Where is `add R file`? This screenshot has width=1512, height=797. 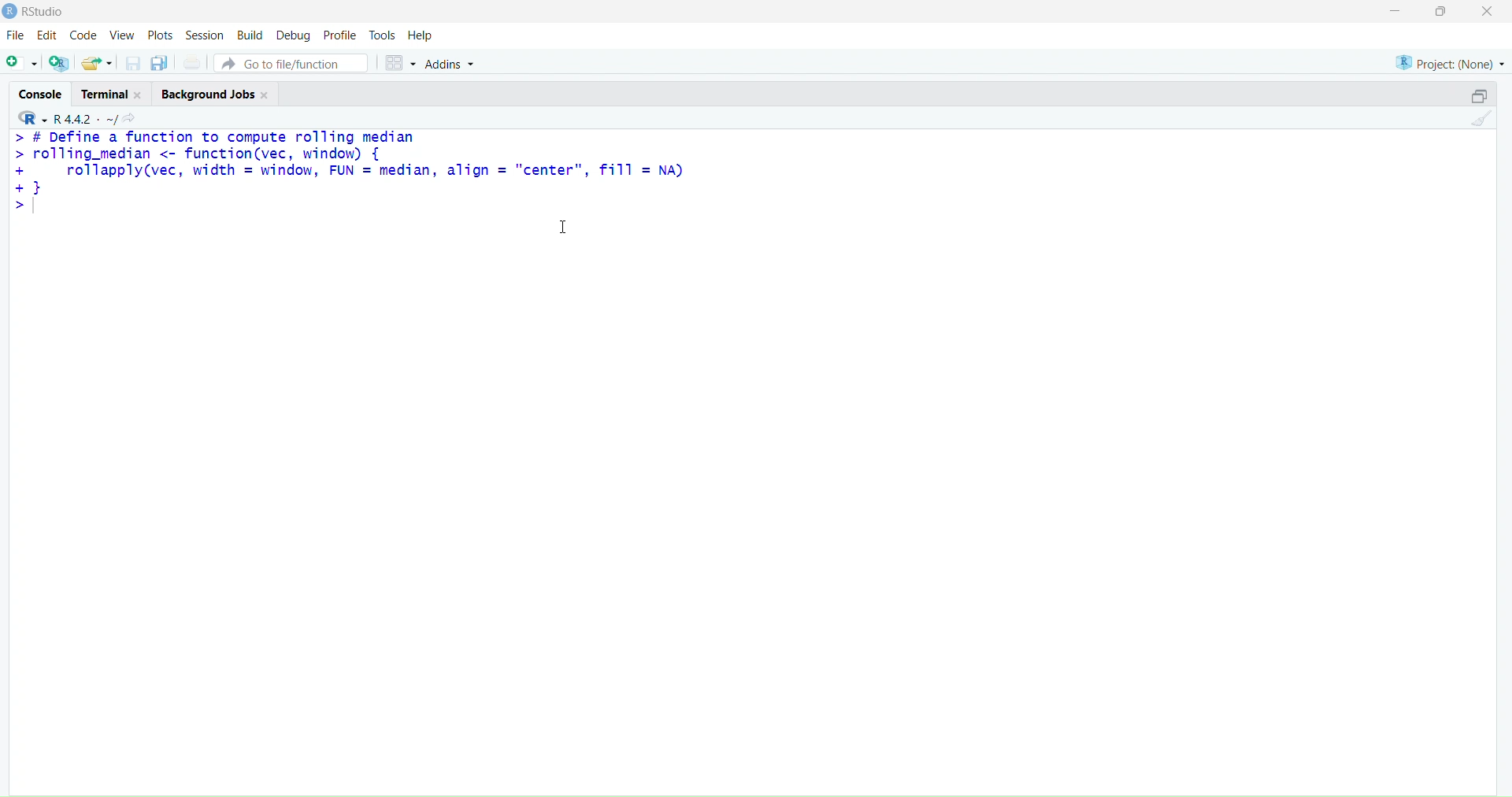 add R file is located at coordinates (60, 64).